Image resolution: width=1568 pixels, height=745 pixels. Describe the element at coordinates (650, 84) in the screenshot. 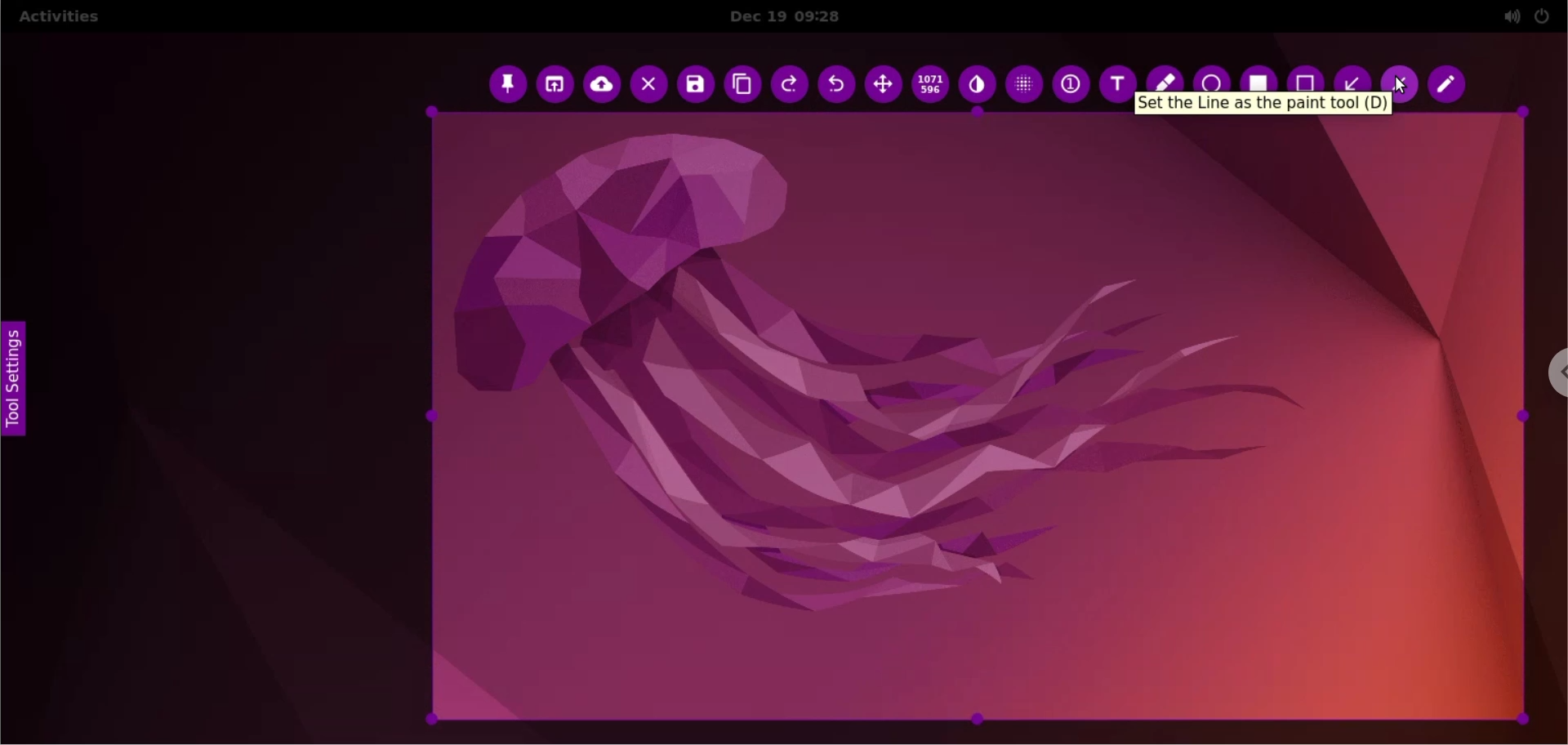

I see `cancel capture` at that location.